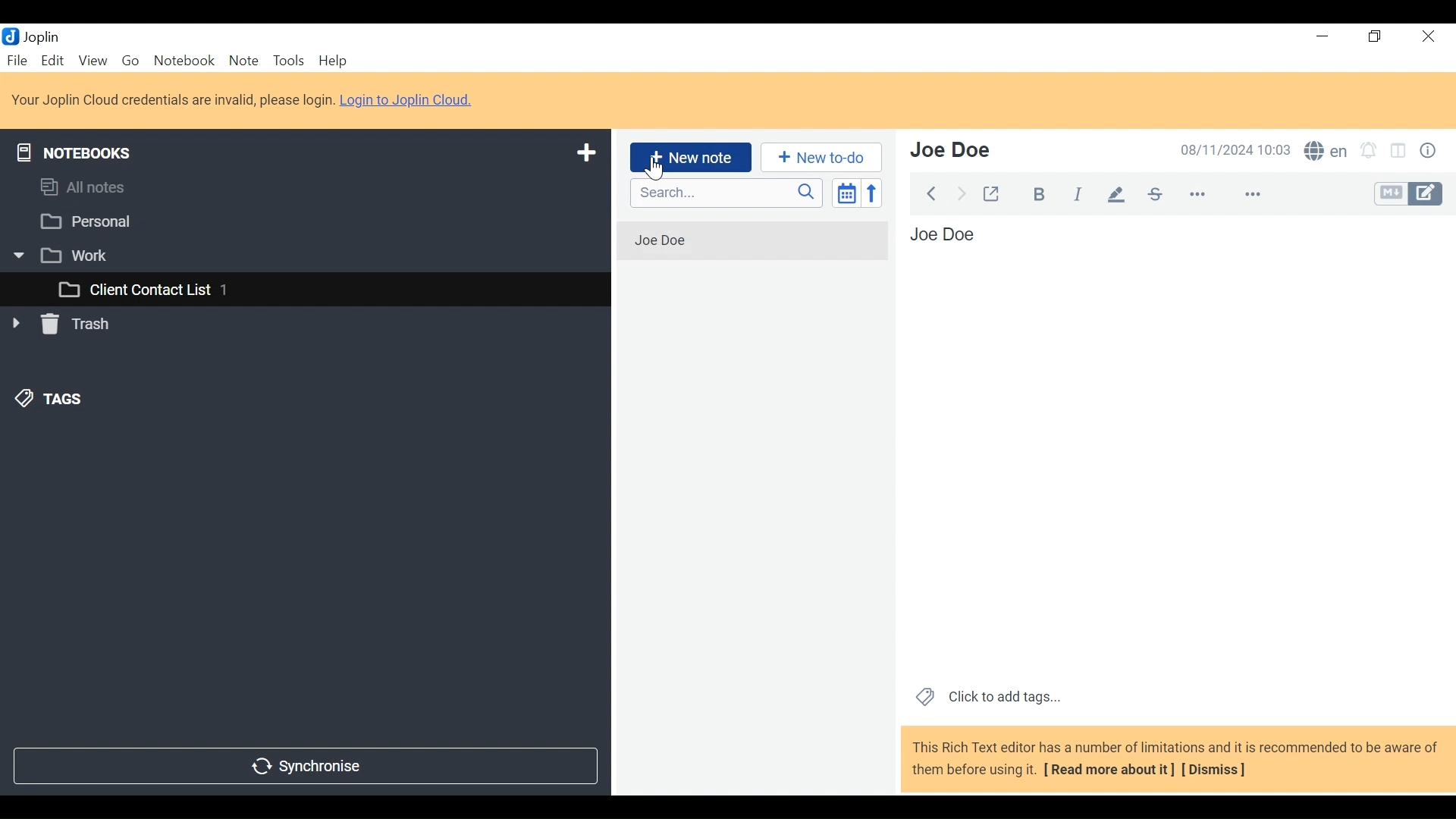 The image size is (1456, 819). What do you see at coordinates (1173, 761) in the screenshot?
I see `This Rich Text editor has a number of limitations and it is recommended to be aware before using it. (Read more about it) (Dismiss)` at bounding box center [1173, 761].